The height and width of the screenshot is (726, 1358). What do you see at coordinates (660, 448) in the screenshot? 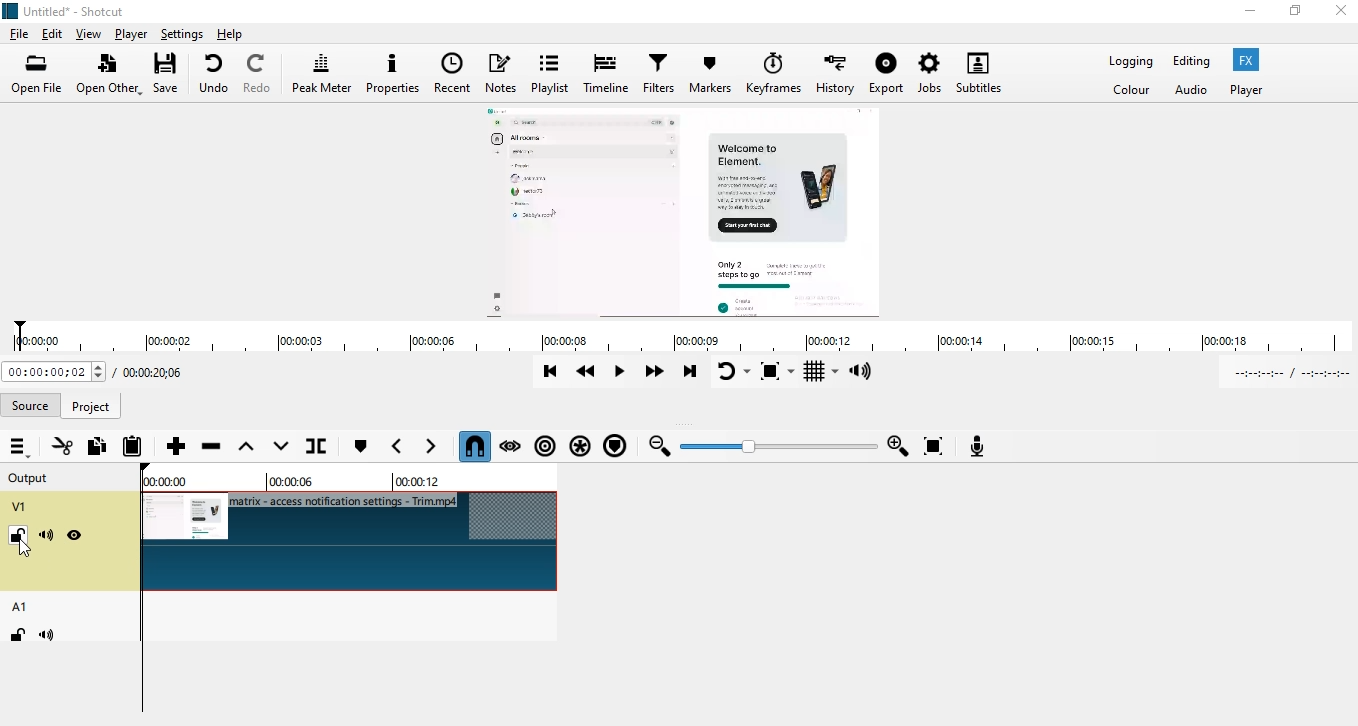
I see `zoom out` at bounding box center [660, 448].